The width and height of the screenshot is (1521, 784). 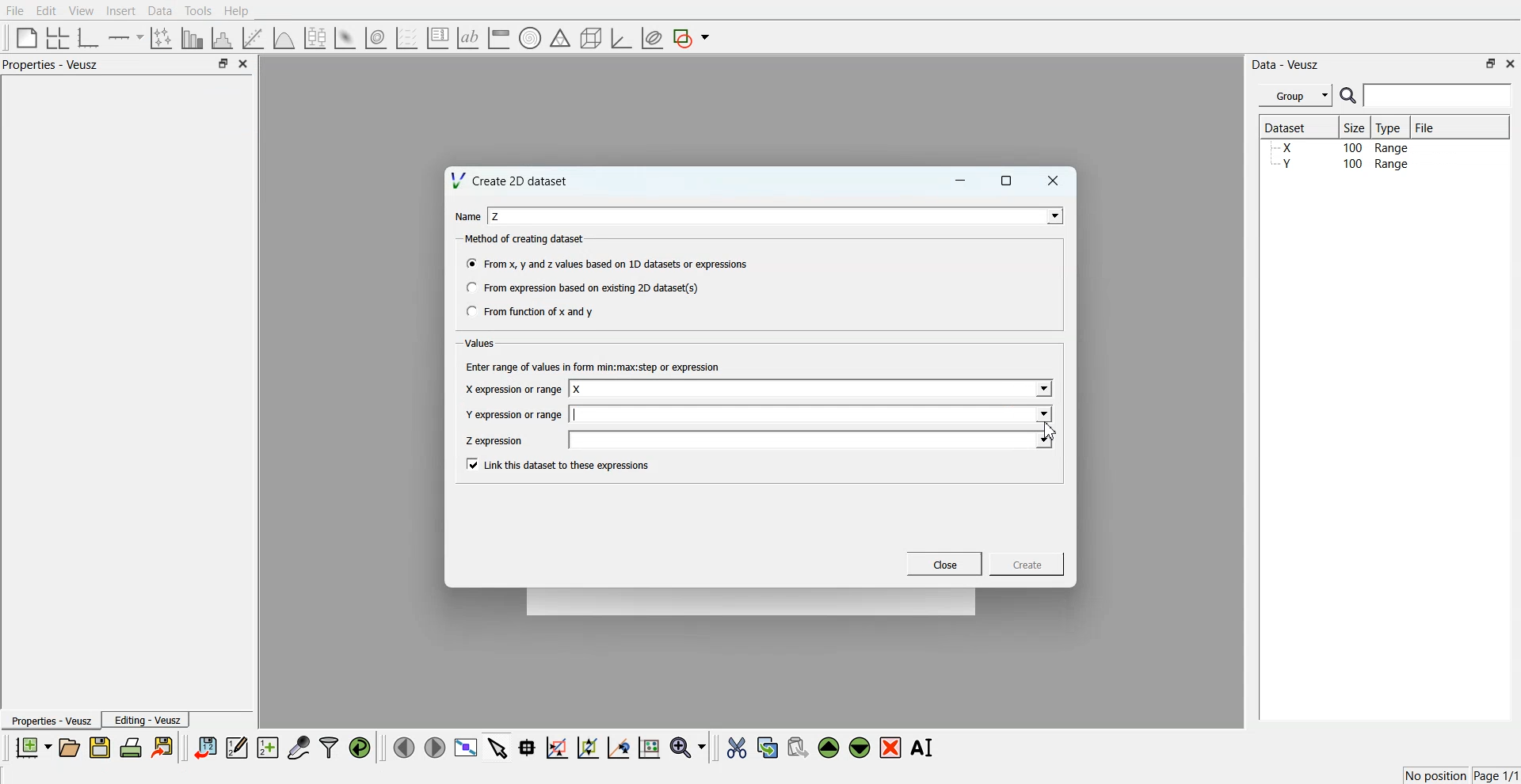 What do you see at coordinates (513, 389) in the screenshot?
I see `MX expression or range` at bounding box center [513, 389].